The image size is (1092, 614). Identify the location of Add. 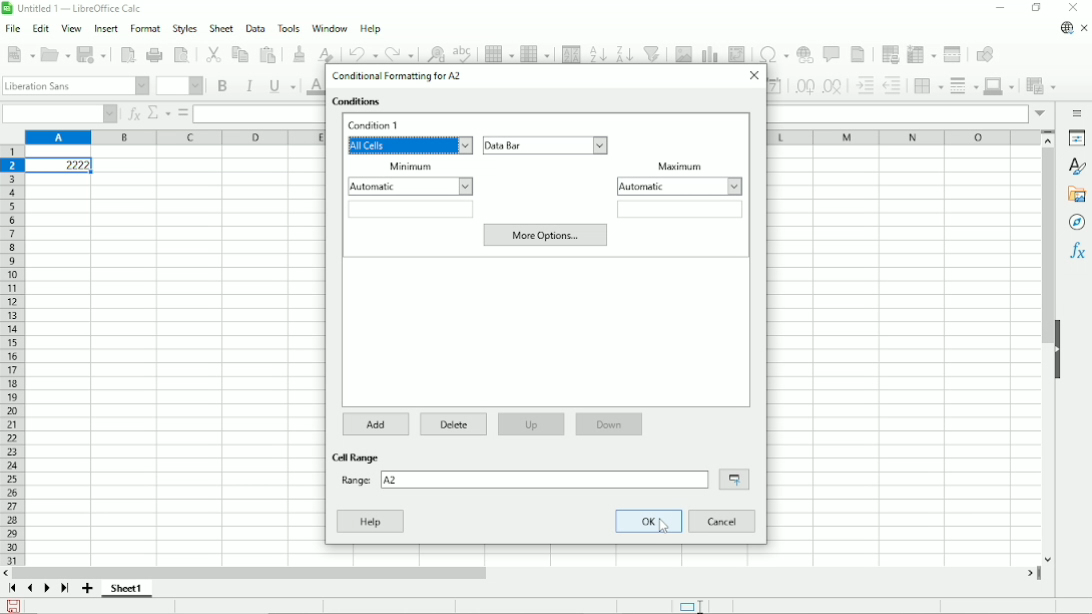
(377, 423).